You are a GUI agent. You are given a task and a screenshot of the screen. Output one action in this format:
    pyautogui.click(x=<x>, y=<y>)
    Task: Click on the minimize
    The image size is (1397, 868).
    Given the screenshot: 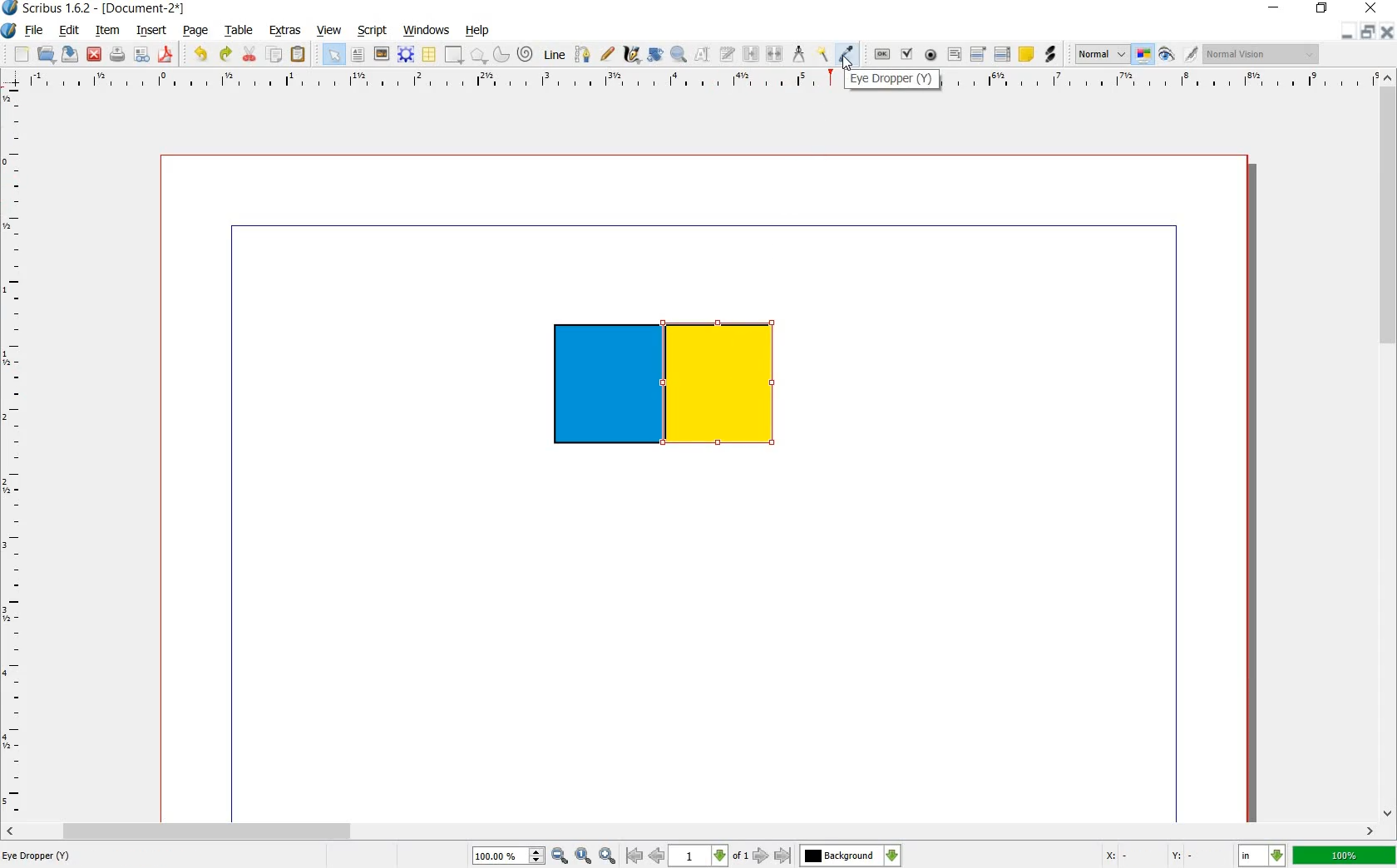 What is the action you would take?
    pyautogui.click(x=1349, y=32)
    